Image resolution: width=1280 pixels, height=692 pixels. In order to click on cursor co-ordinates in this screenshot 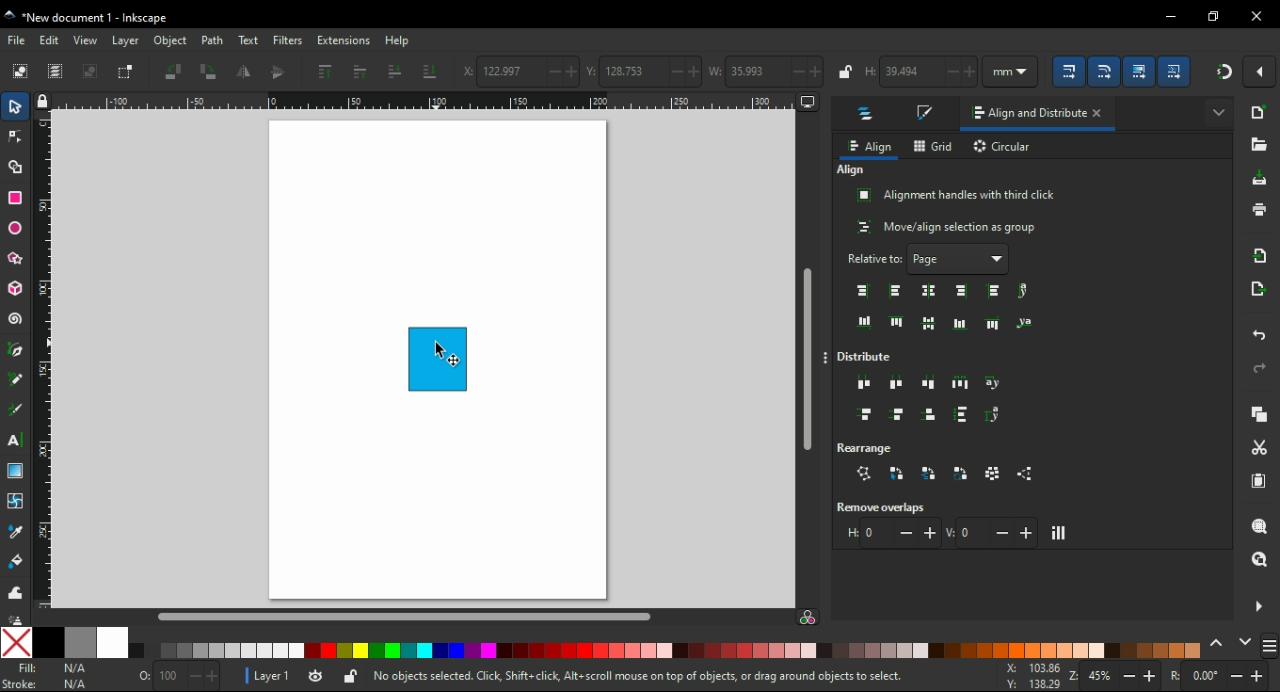, I will do `click(1029, 676)`.